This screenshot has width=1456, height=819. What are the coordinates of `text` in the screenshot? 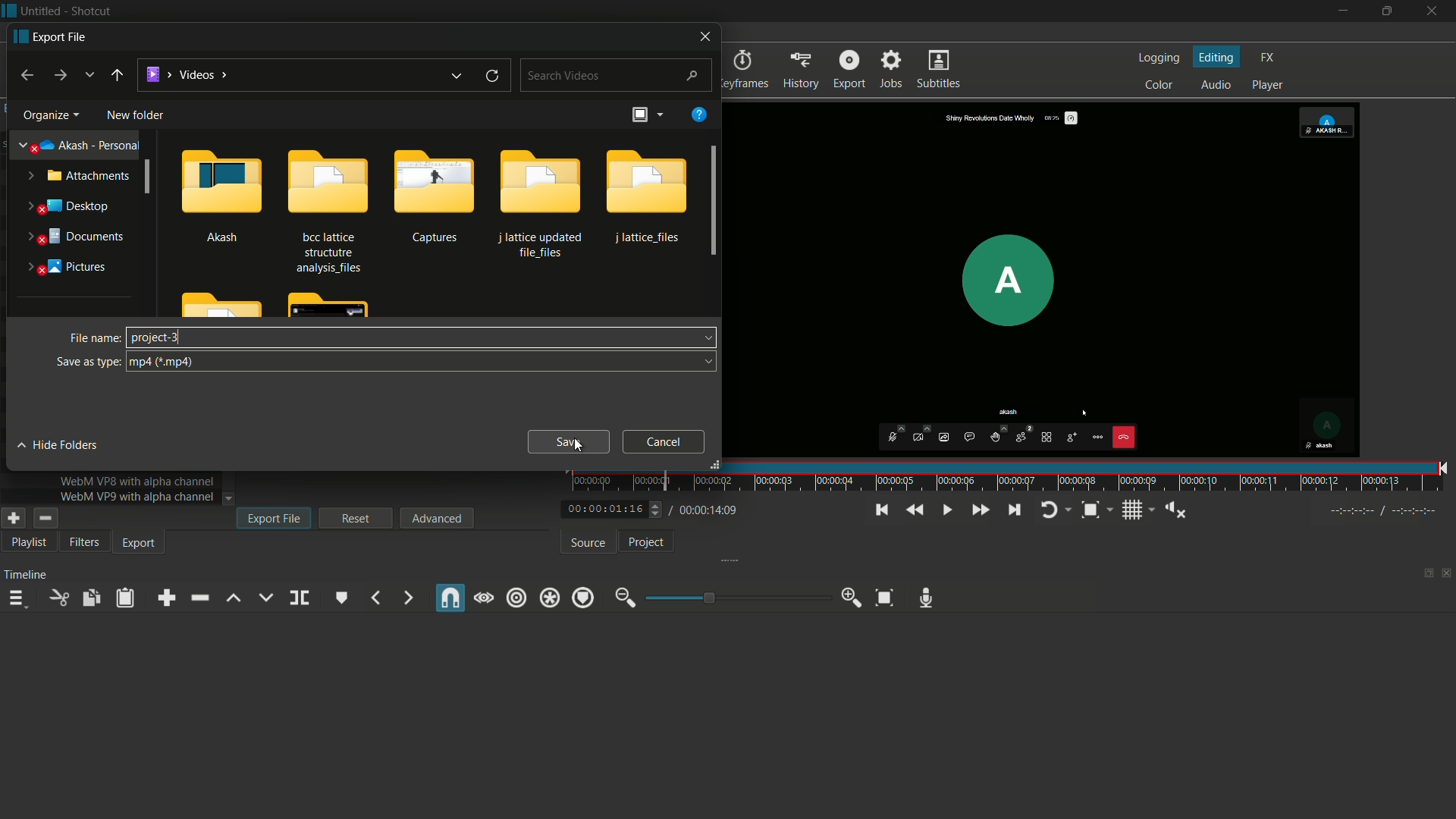 It's located at (138, 496).